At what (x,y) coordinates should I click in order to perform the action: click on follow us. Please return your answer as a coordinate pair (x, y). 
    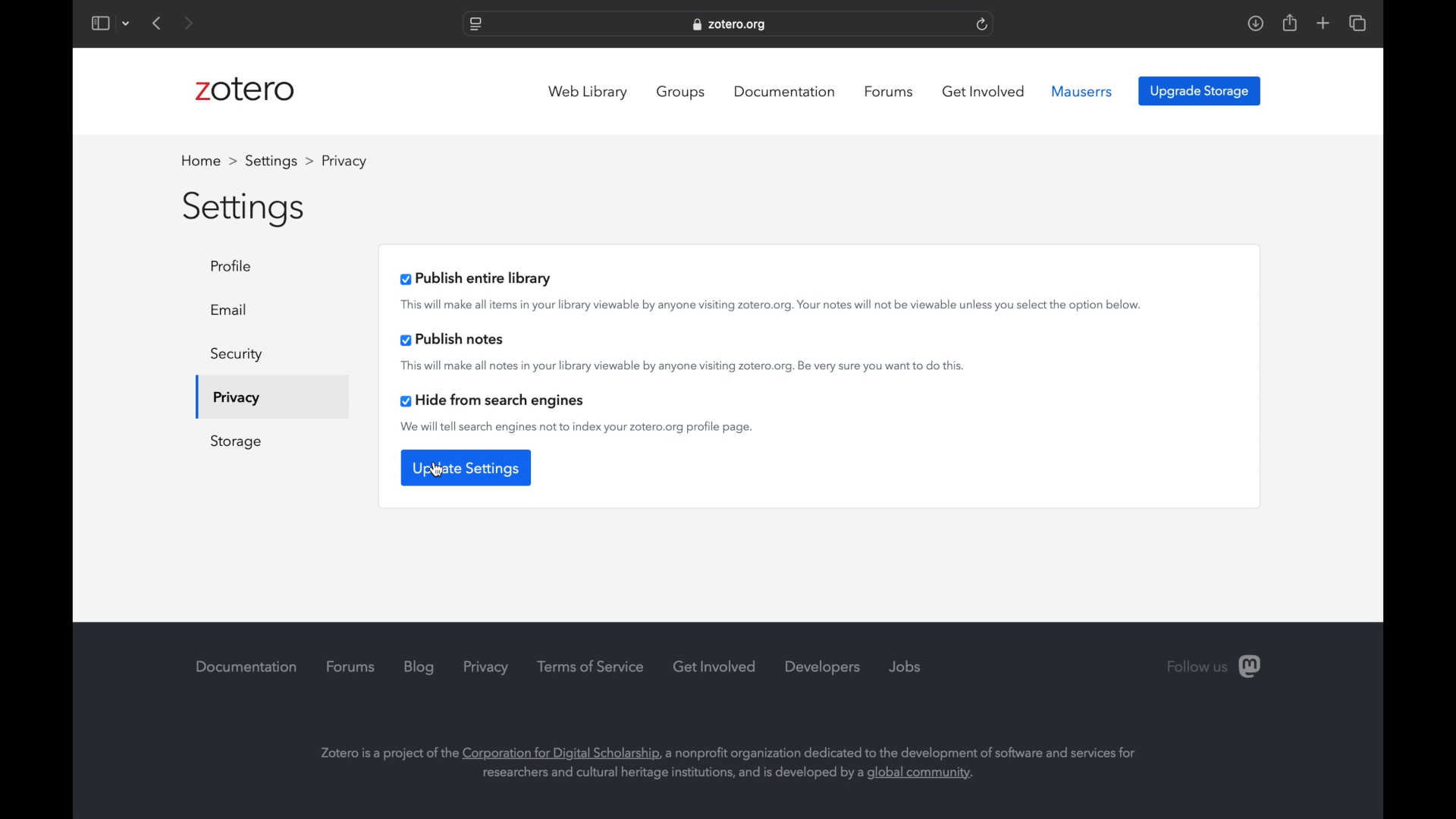
    Looking at the image, I should click on (1215, 667).